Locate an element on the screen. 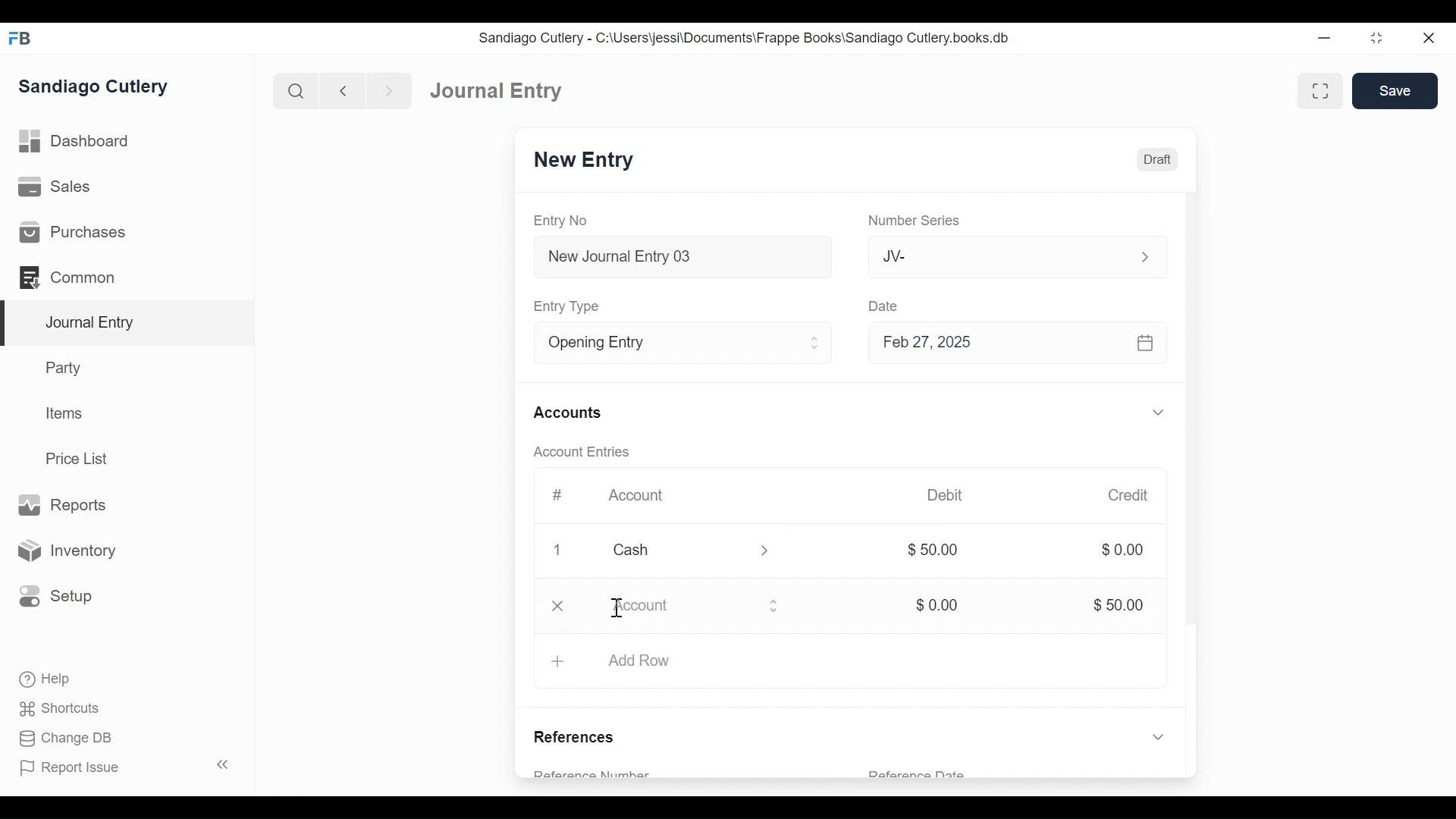 This screenshot has height=819, width=1456. $0.00 is located at coordinates (1122, 550).